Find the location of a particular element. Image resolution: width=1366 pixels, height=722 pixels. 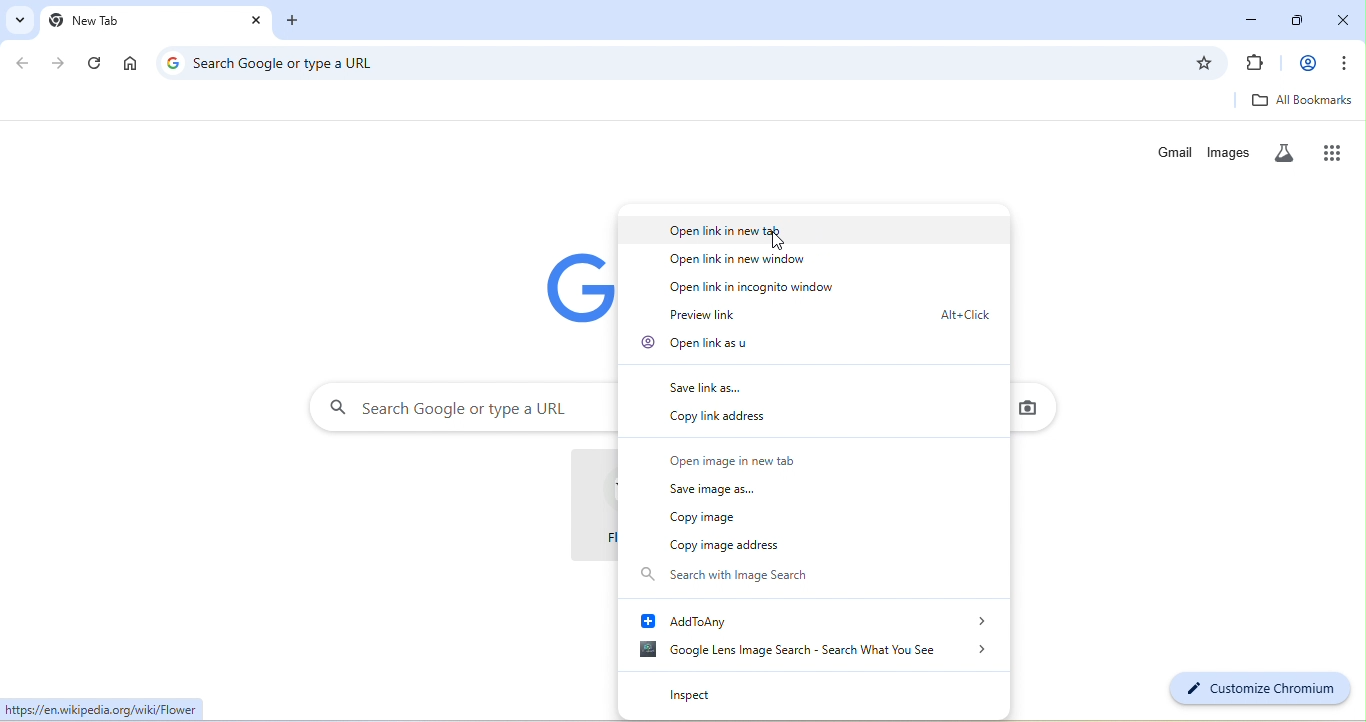

cursor movement is located at coordinates (782, 243).